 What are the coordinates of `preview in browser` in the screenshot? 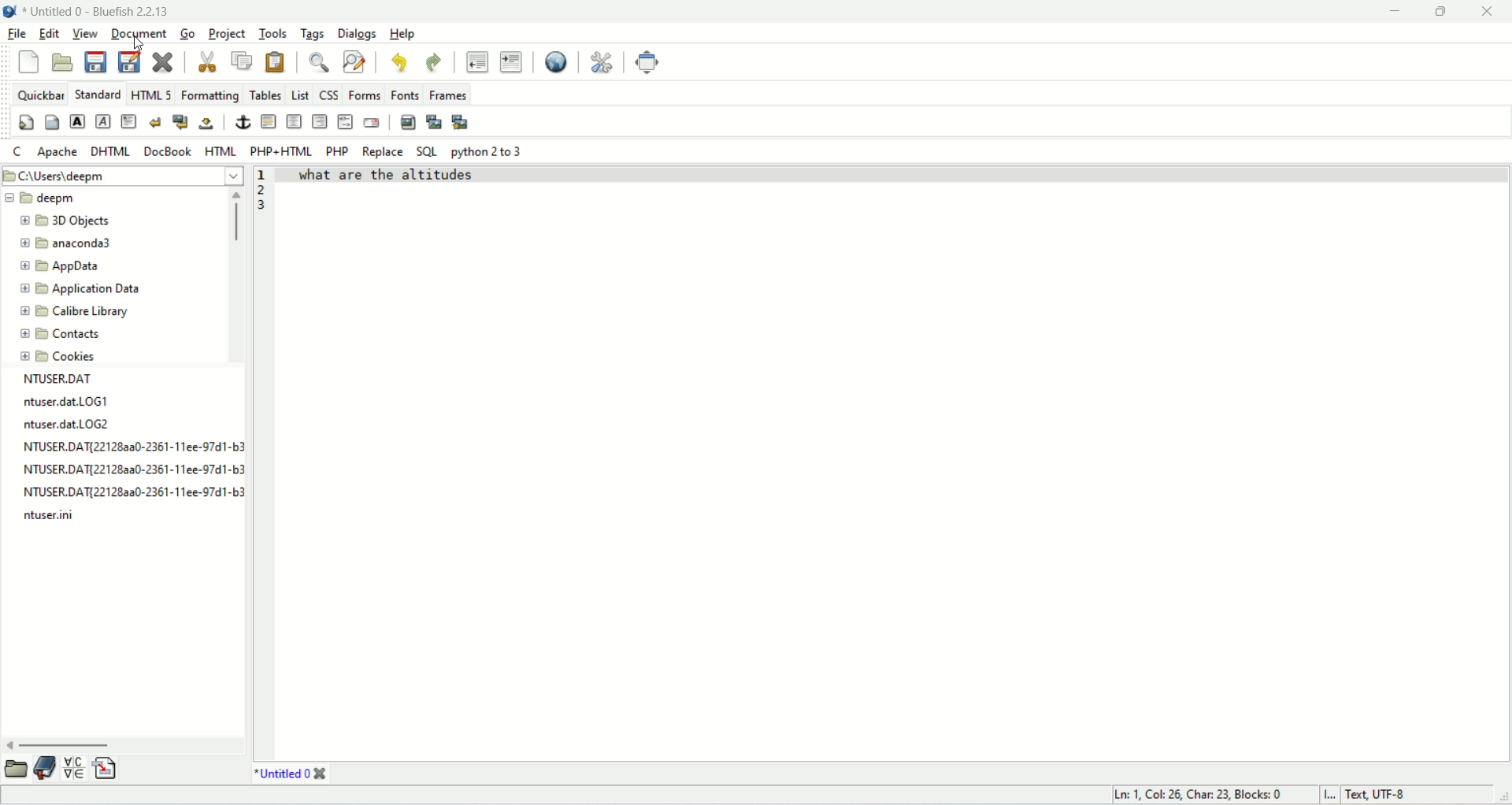 It's located at (556, 62).